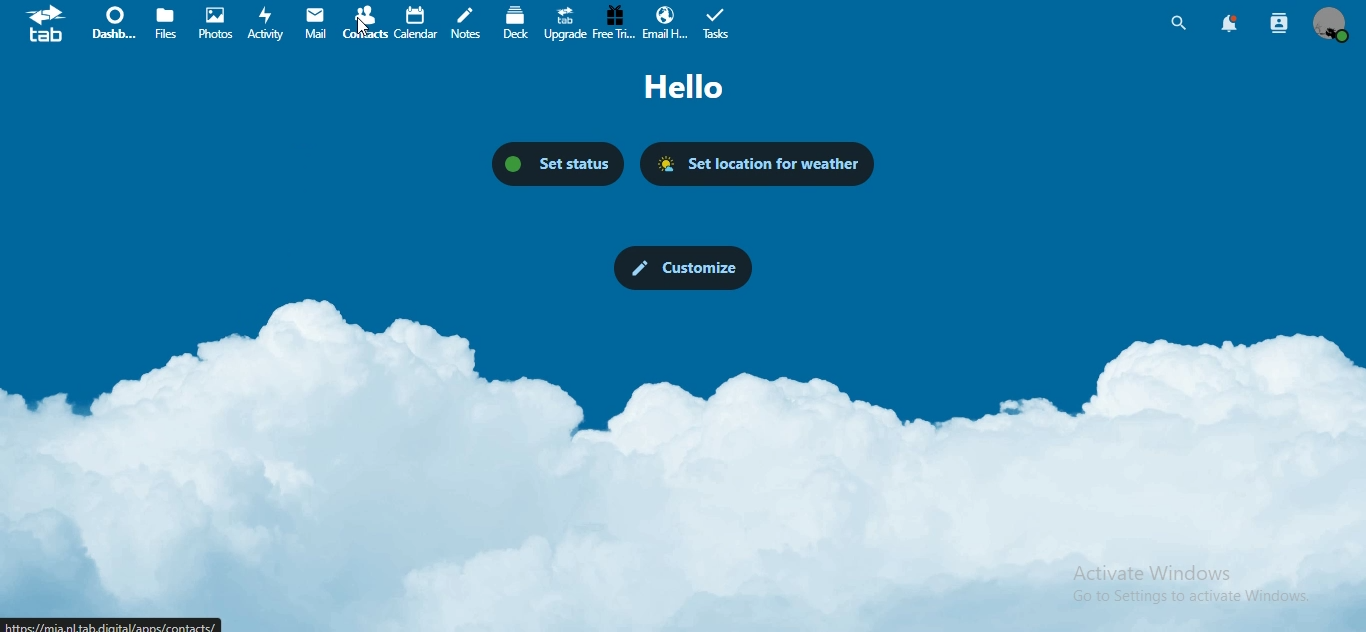 This screenshot has height=632, width=1366. I want to click on customize, so click(684, 268).